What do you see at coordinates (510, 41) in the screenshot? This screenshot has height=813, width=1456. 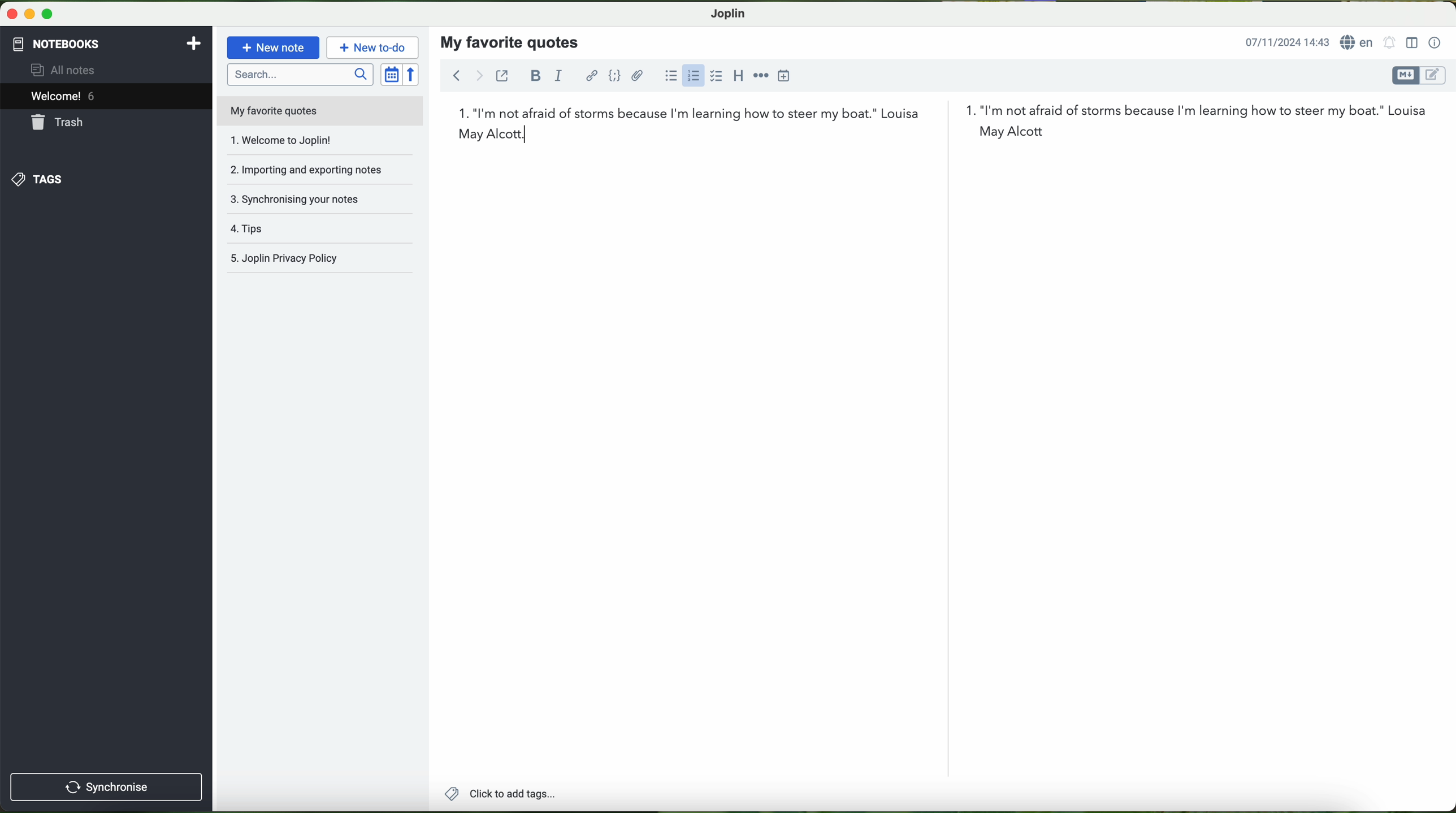 I see `my favorite quotes` at bounding box center [510, 41].